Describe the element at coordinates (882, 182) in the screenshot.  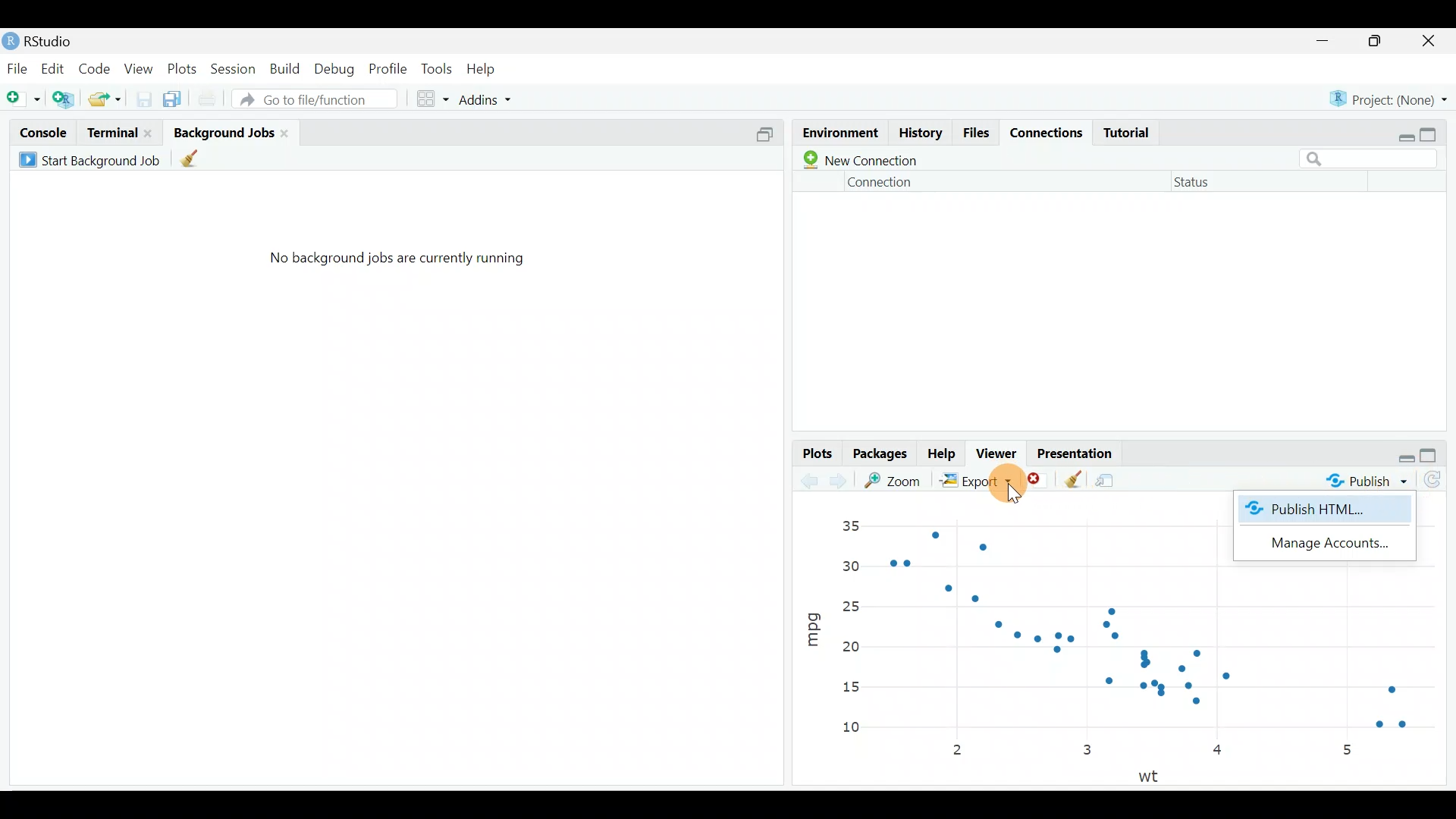
I see `Connection` at that location.